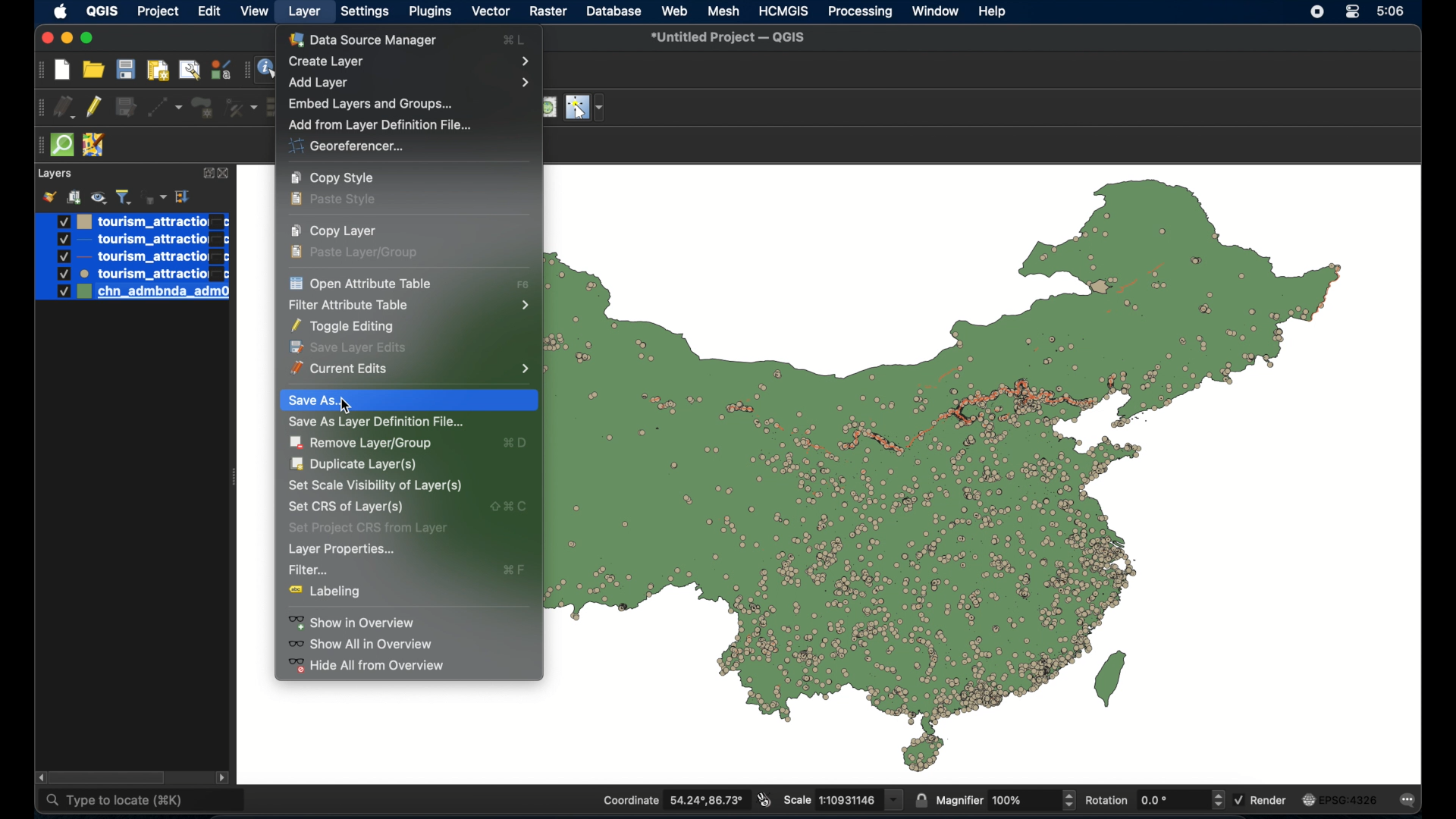 The width and height of the screenshot is (1456, 819). I want to click on boundary map of china with point data, so click(947, 471).